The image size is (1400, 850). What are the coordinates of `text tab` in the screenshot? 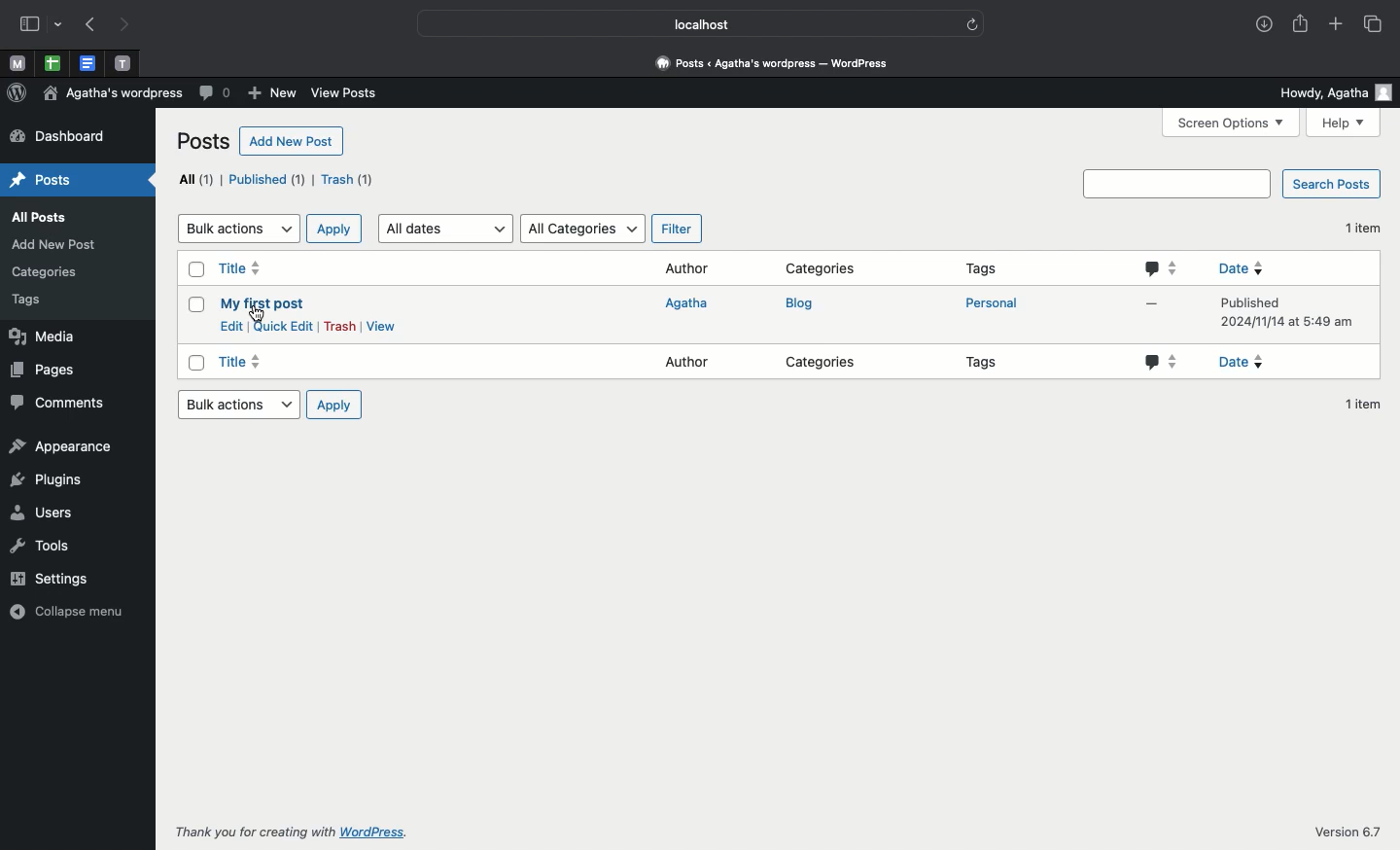 It's located at (122, 59).